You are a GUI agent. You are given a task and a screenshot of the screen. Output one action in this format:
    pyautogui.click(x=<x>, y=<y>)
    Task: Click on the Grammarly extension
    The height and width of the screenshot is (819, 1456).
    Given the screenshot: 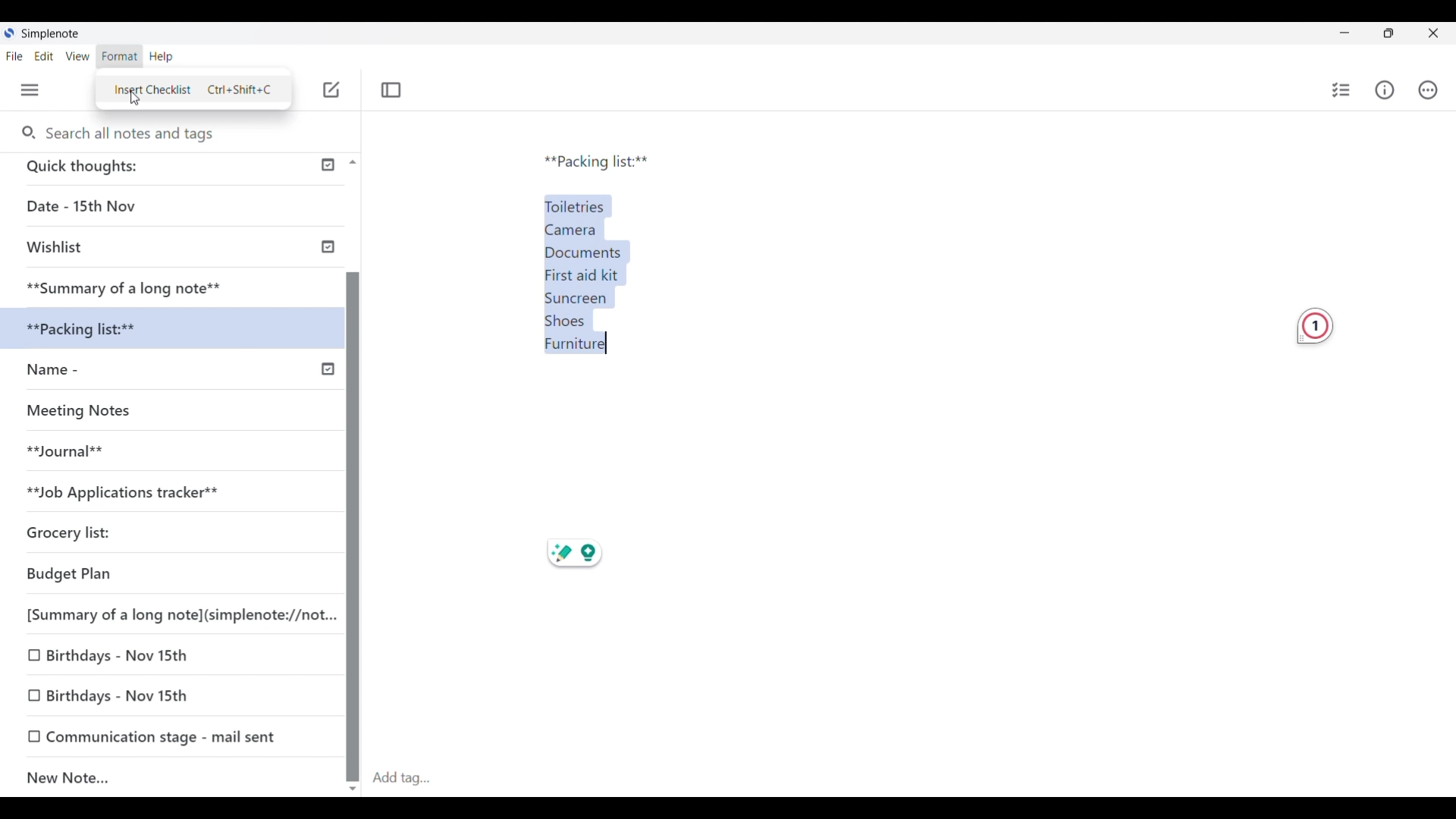 What is the action you would take?
    pyautogui.click(x=1315, y=326)
    